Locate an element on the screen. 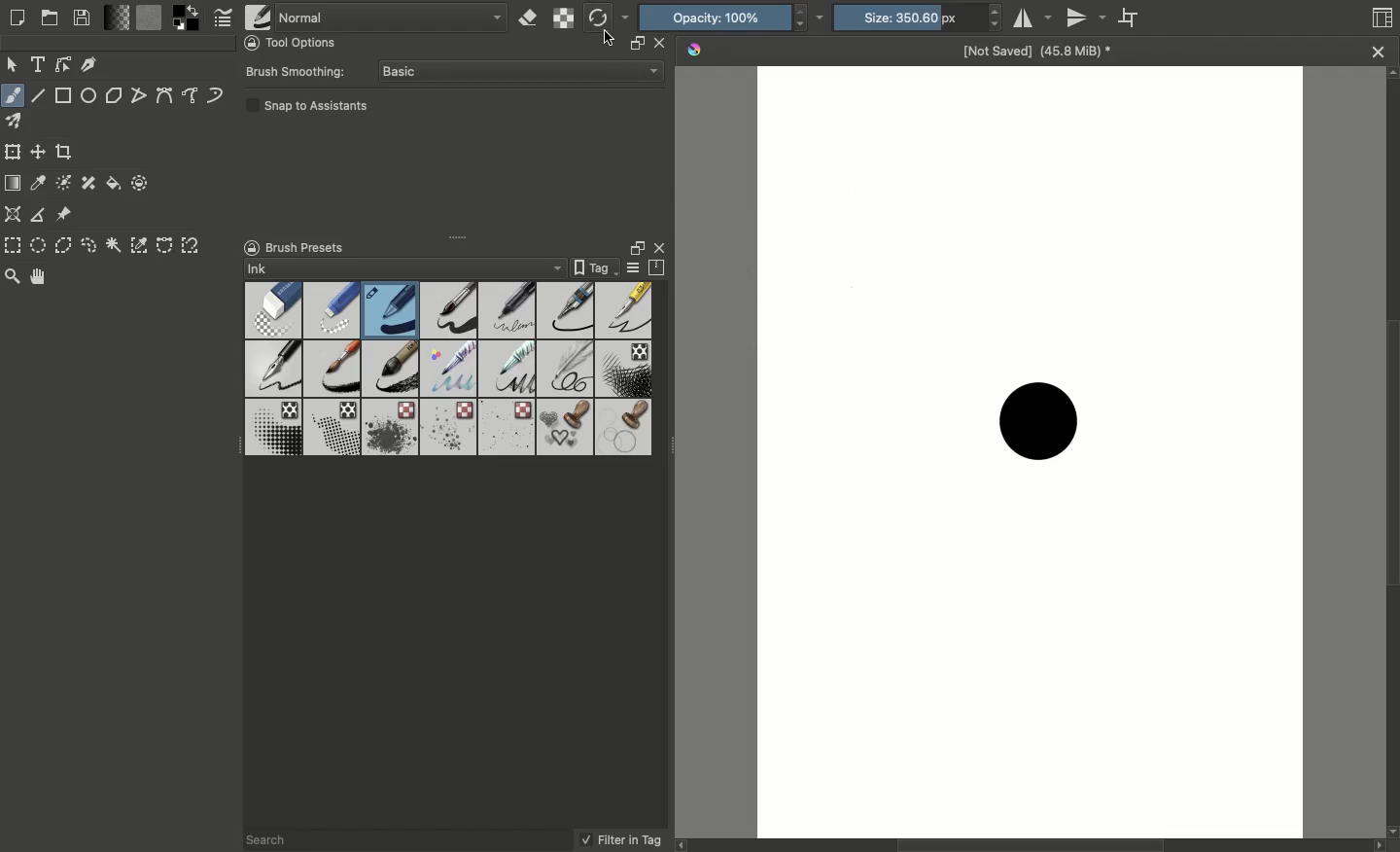 This screenshot has height=852, width=1400. Preserve alpha is located at coordinates (565, 18).